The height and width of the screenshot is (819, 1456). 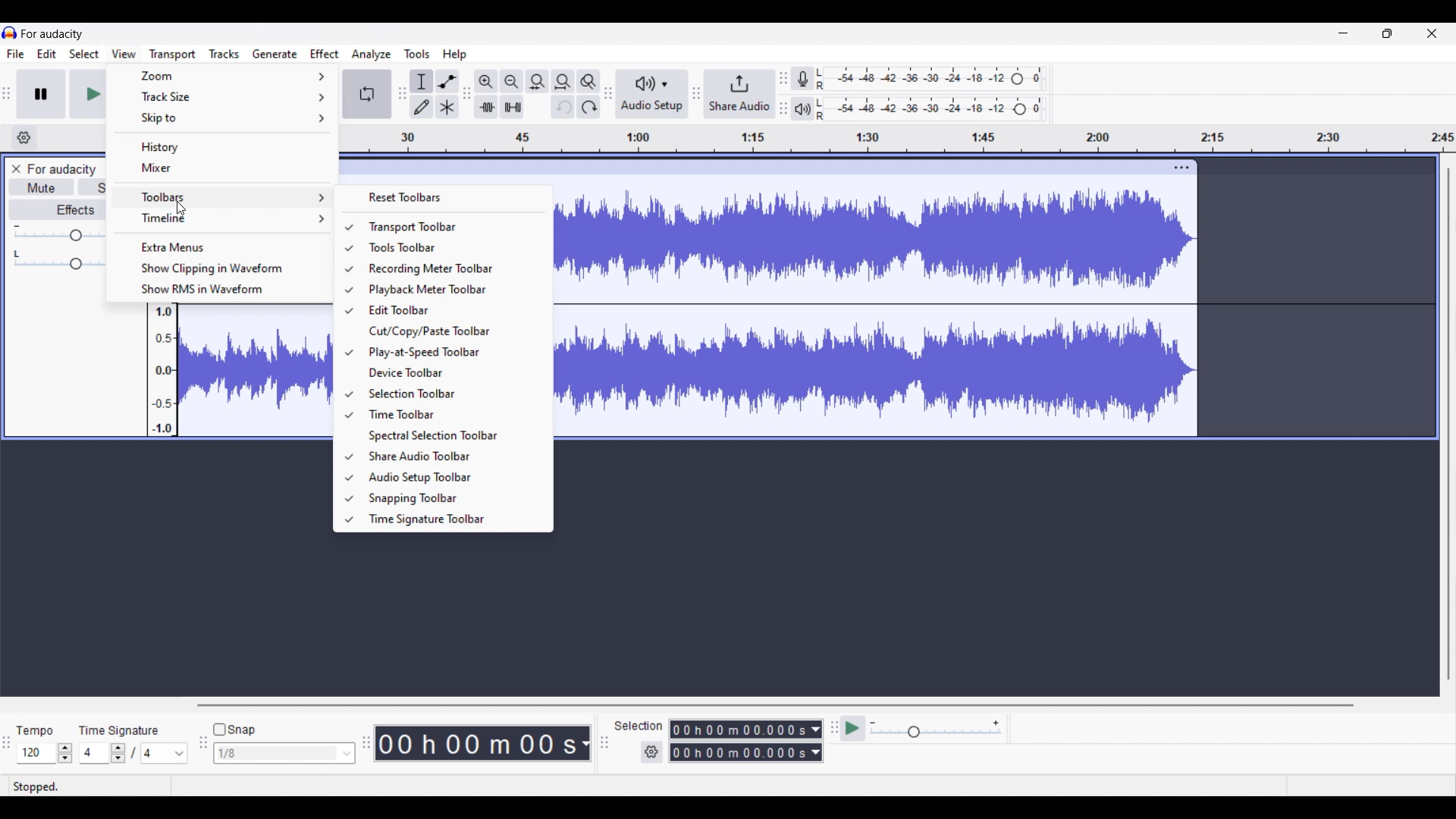 What do you see at coordinates (47, 53) in the screenshot?
I see `Edit` at bounding box center [47, 53].